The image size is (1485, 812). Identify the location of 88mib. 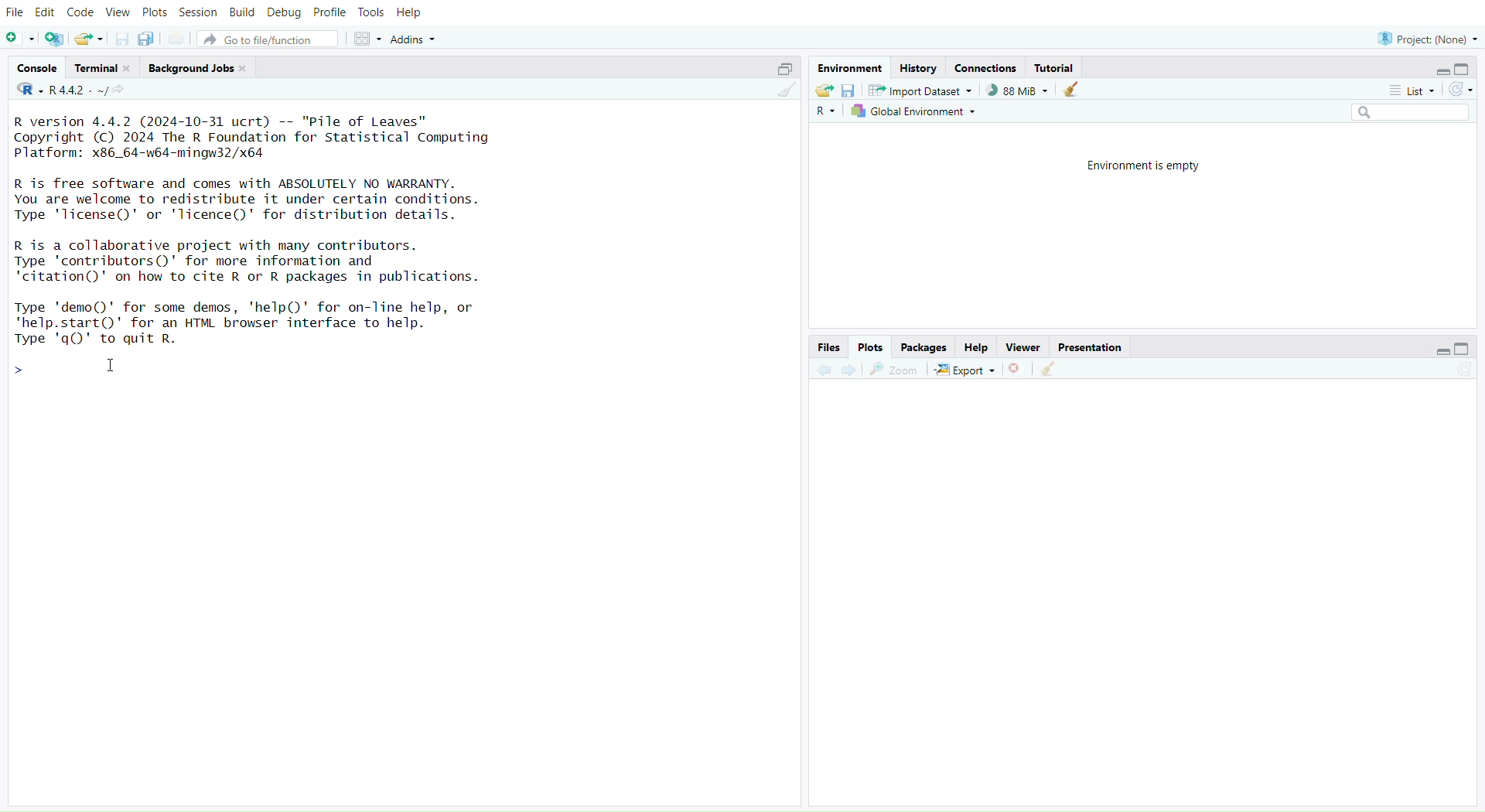
(1019, 90).